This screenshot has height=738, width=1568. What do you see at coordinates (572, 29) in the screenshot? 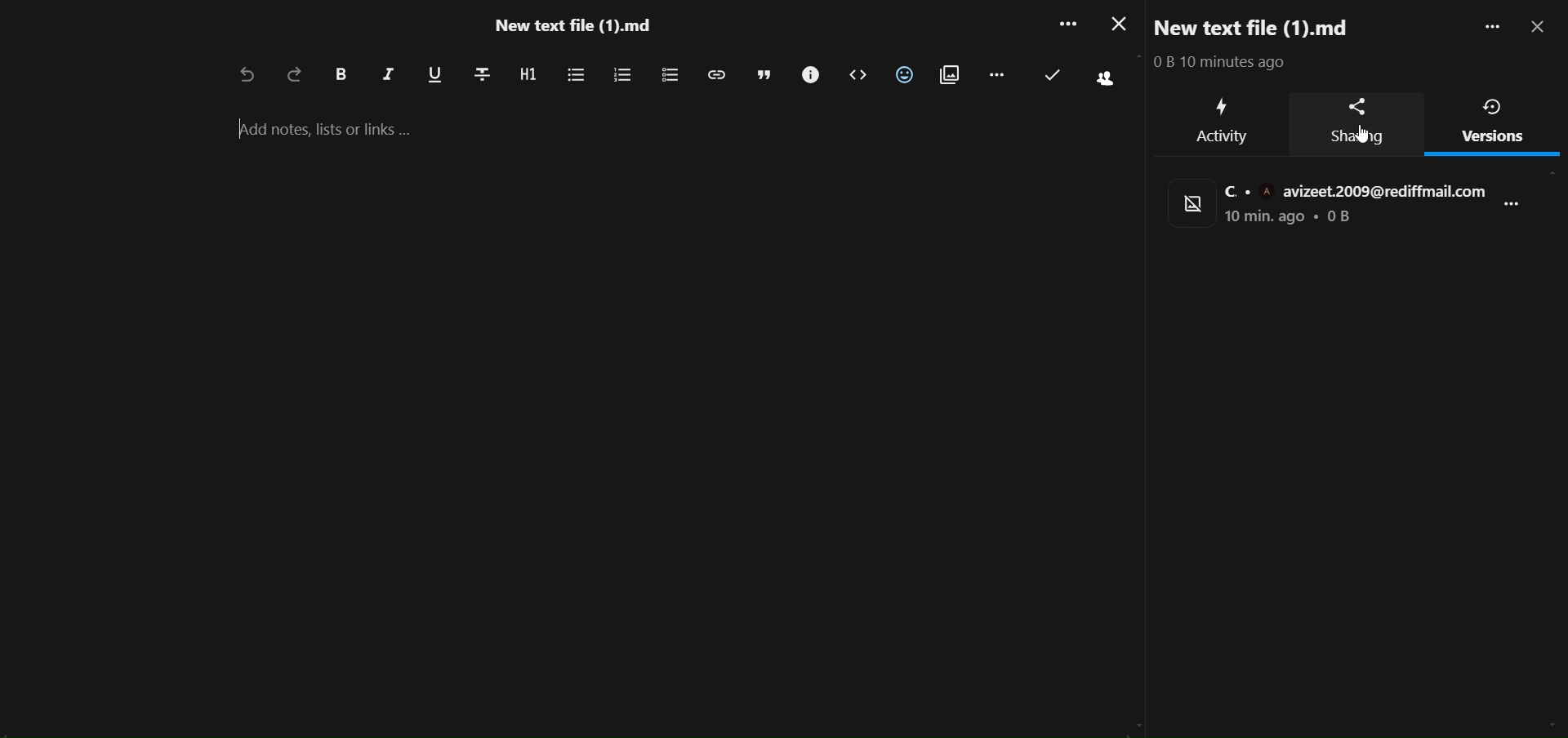
I see `file name` at bounding box center [572, 29].